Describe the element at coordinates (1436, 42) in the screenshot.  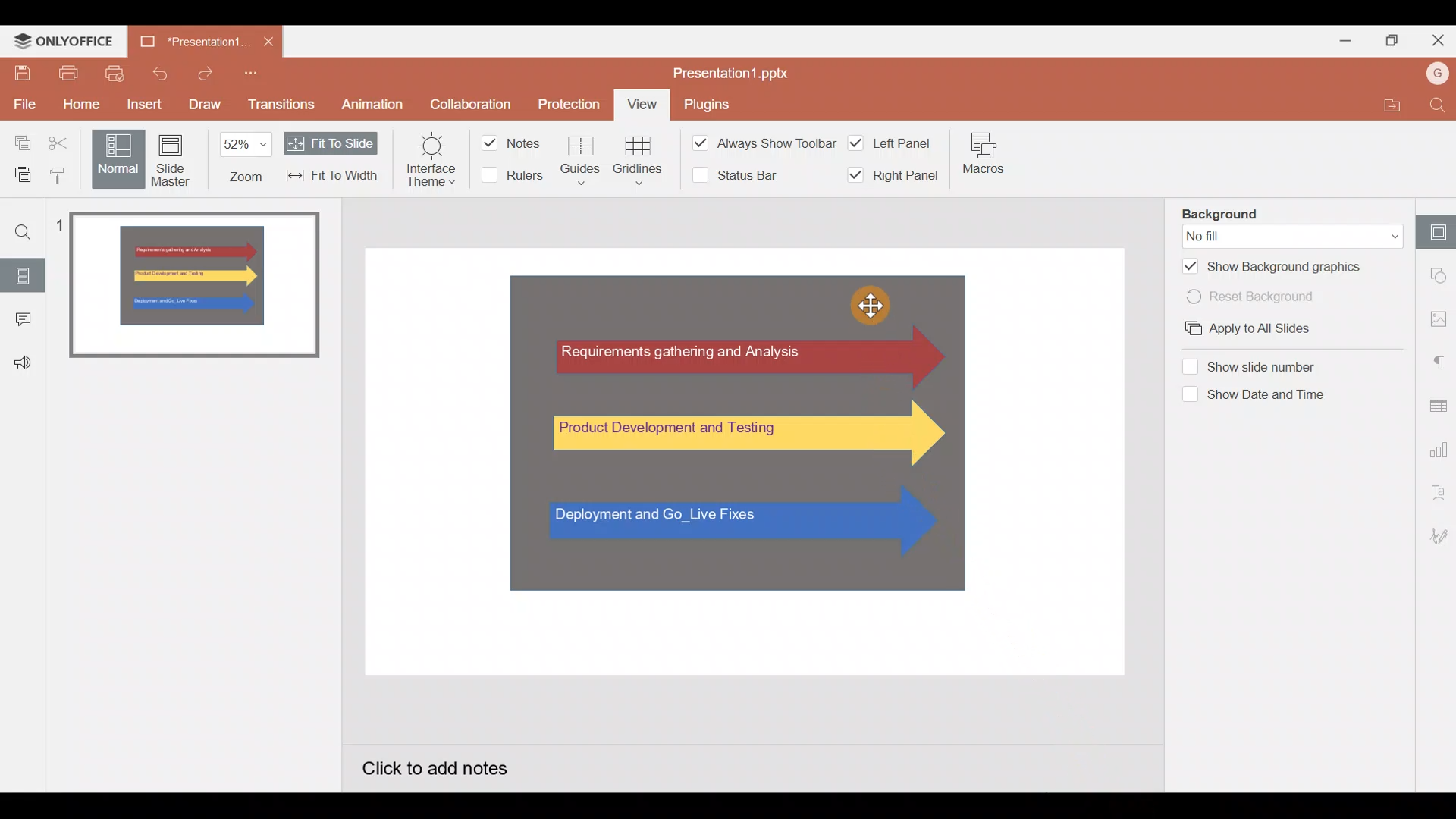
I see `Close` at that location.